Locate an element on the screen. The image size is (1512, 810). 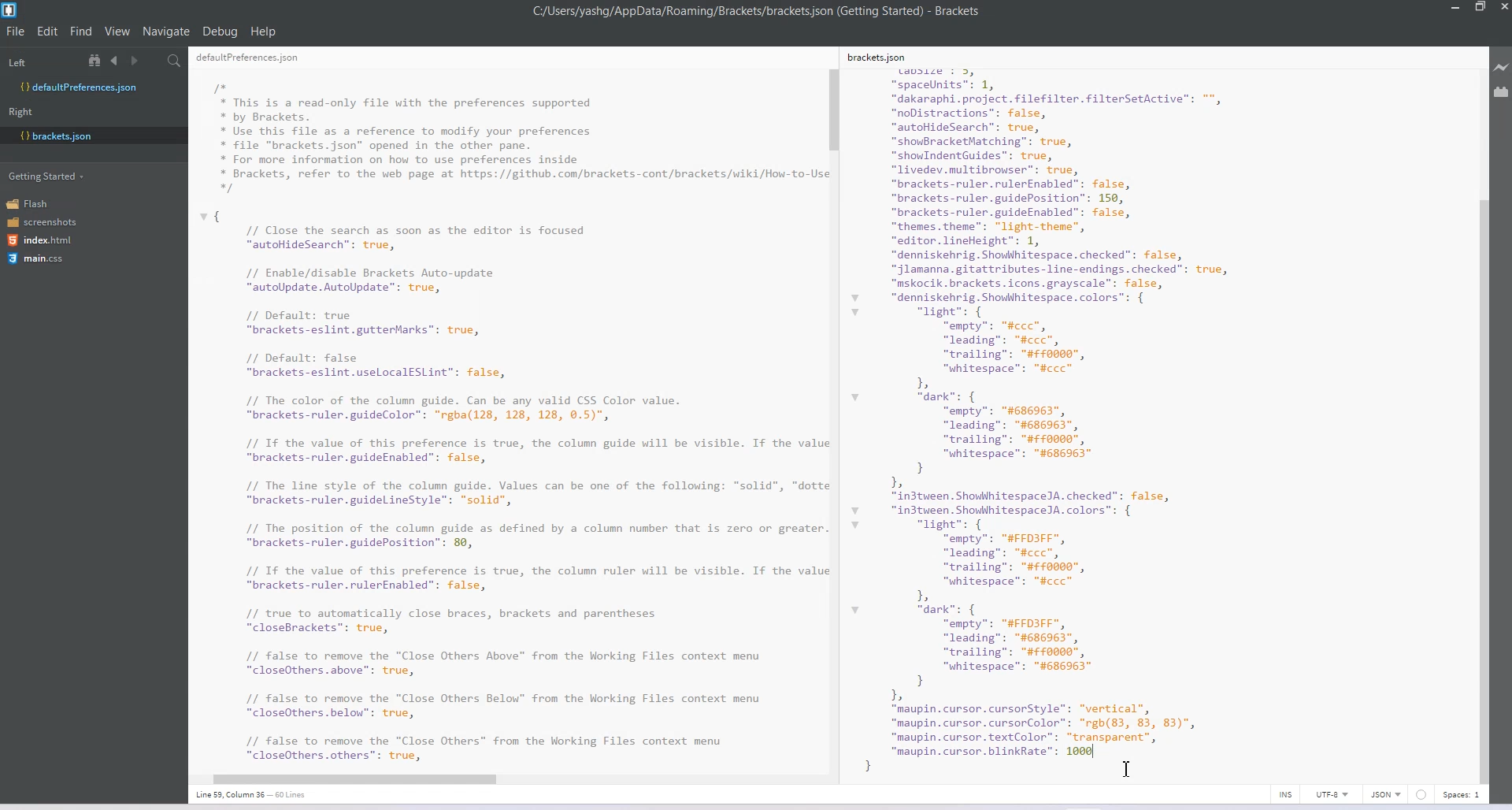
Find is located at coordinates (82, 31).